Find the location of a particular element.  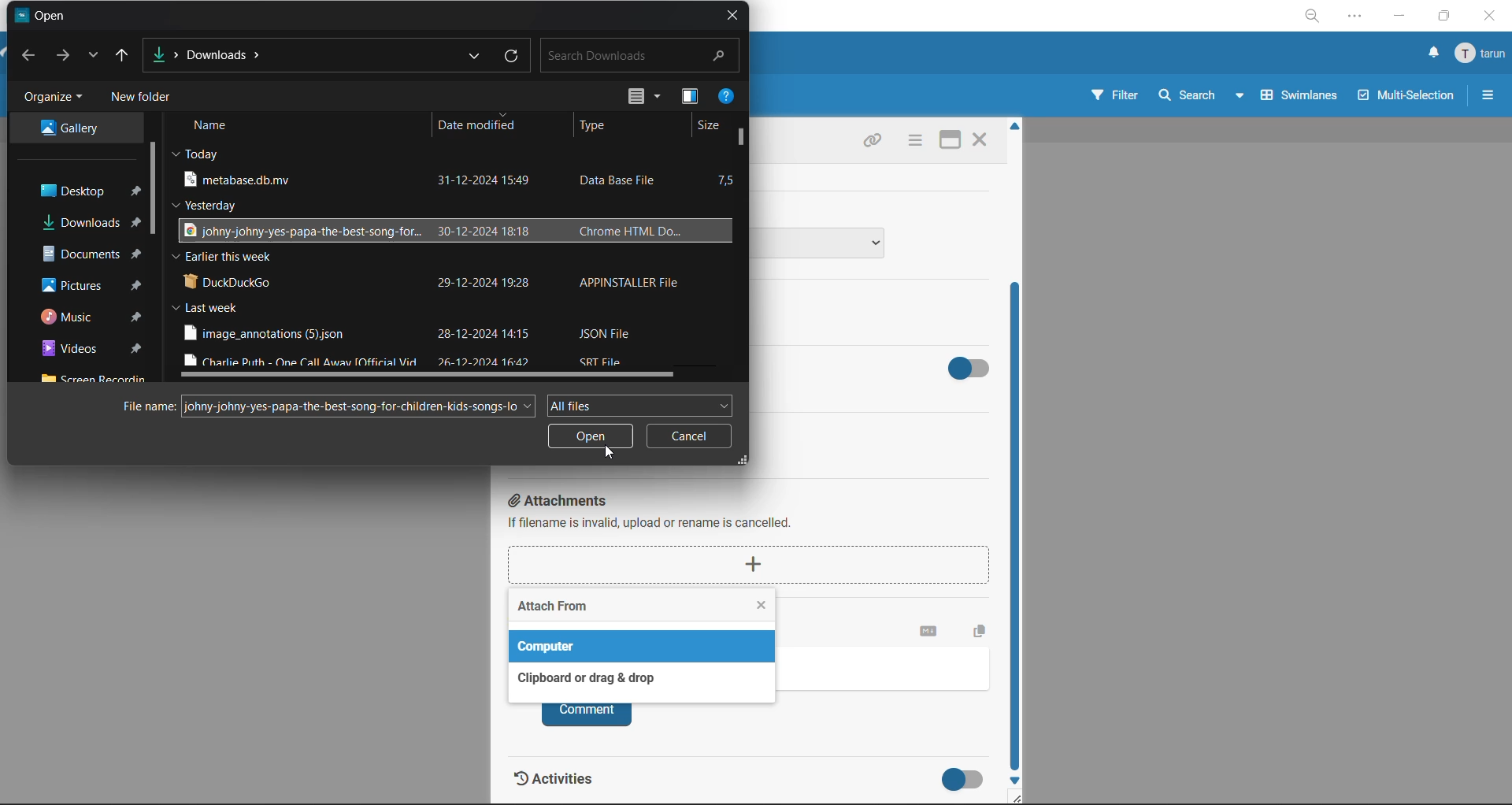

file with date and type is located at coordinates (428, 180).